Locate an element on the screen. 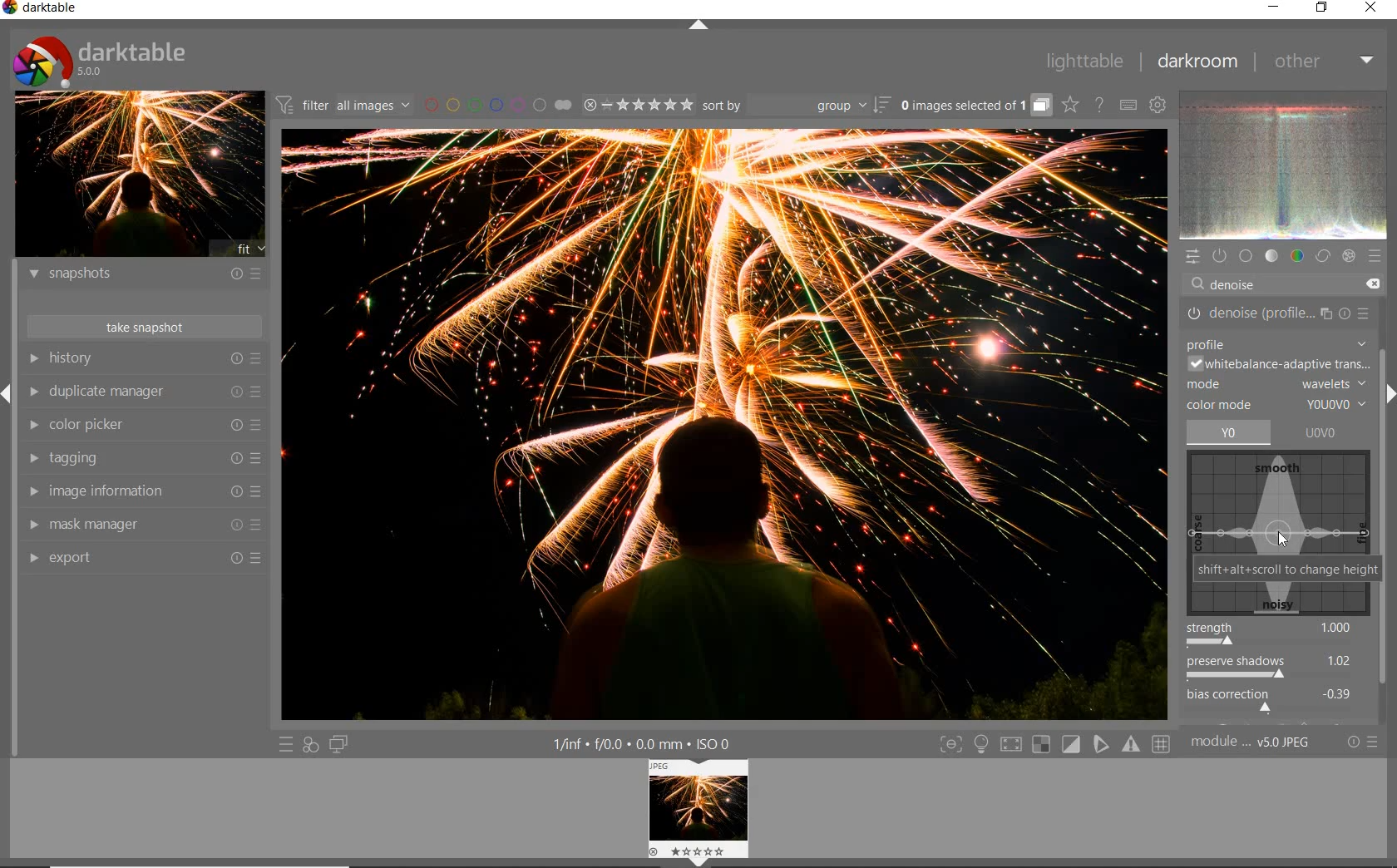  export is located at coordinates (143, 556).